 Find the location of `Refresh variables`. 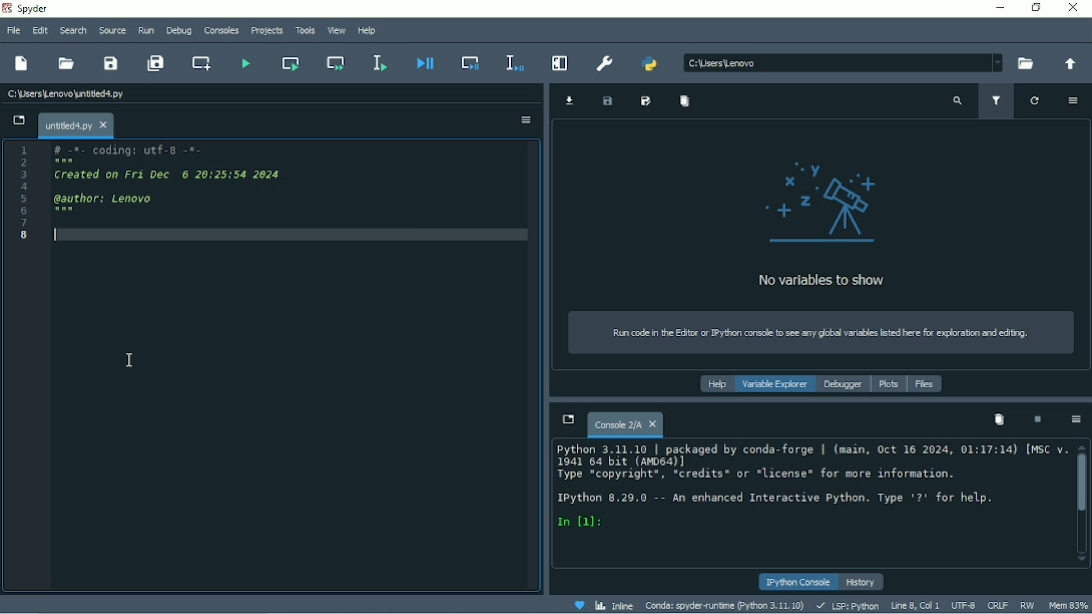

Refresh variables is located at coordinates (1035, 102).